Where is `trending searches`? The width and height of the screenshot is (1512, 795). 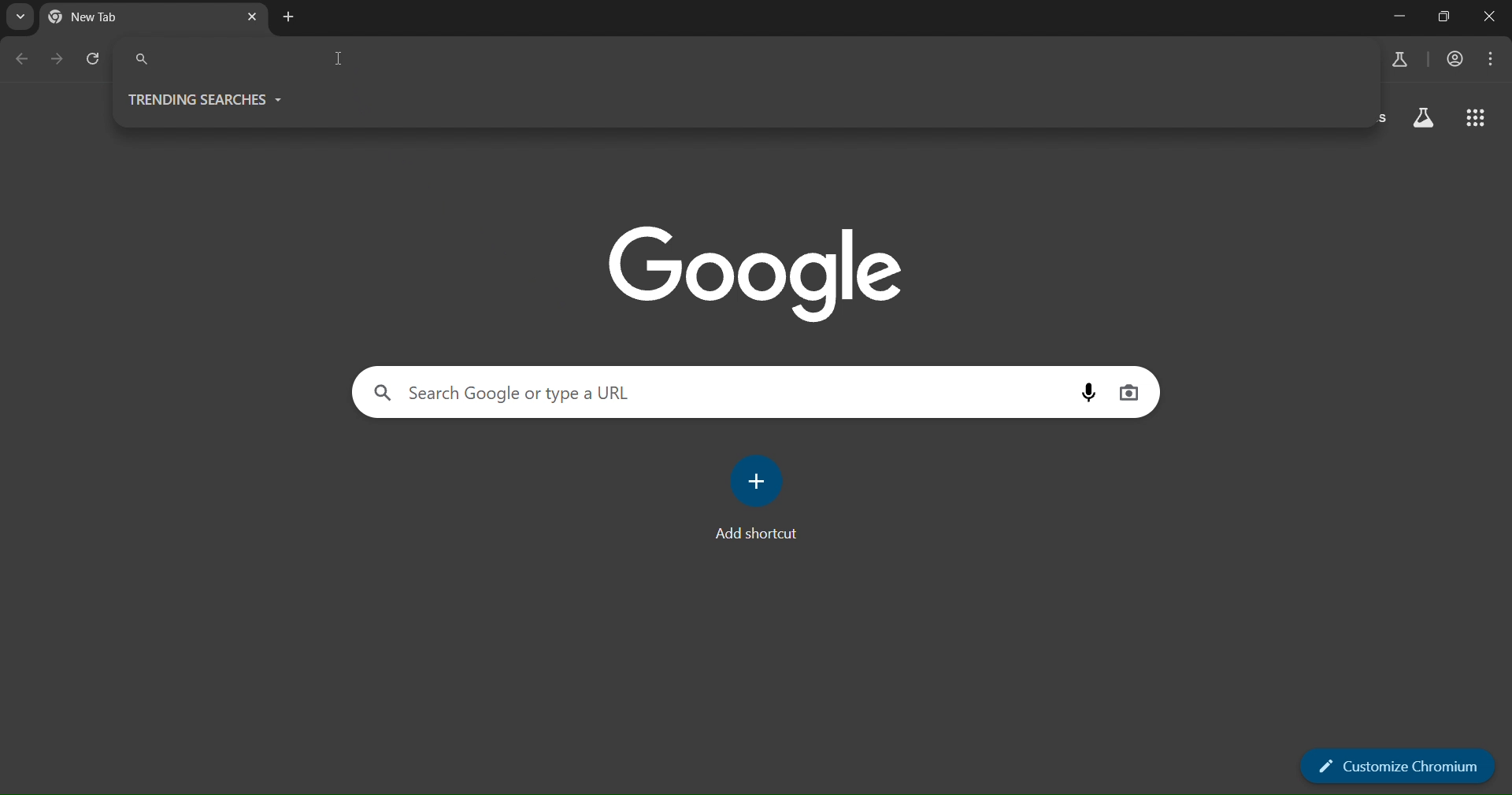
trending searches is located at coordinates (207, 99).